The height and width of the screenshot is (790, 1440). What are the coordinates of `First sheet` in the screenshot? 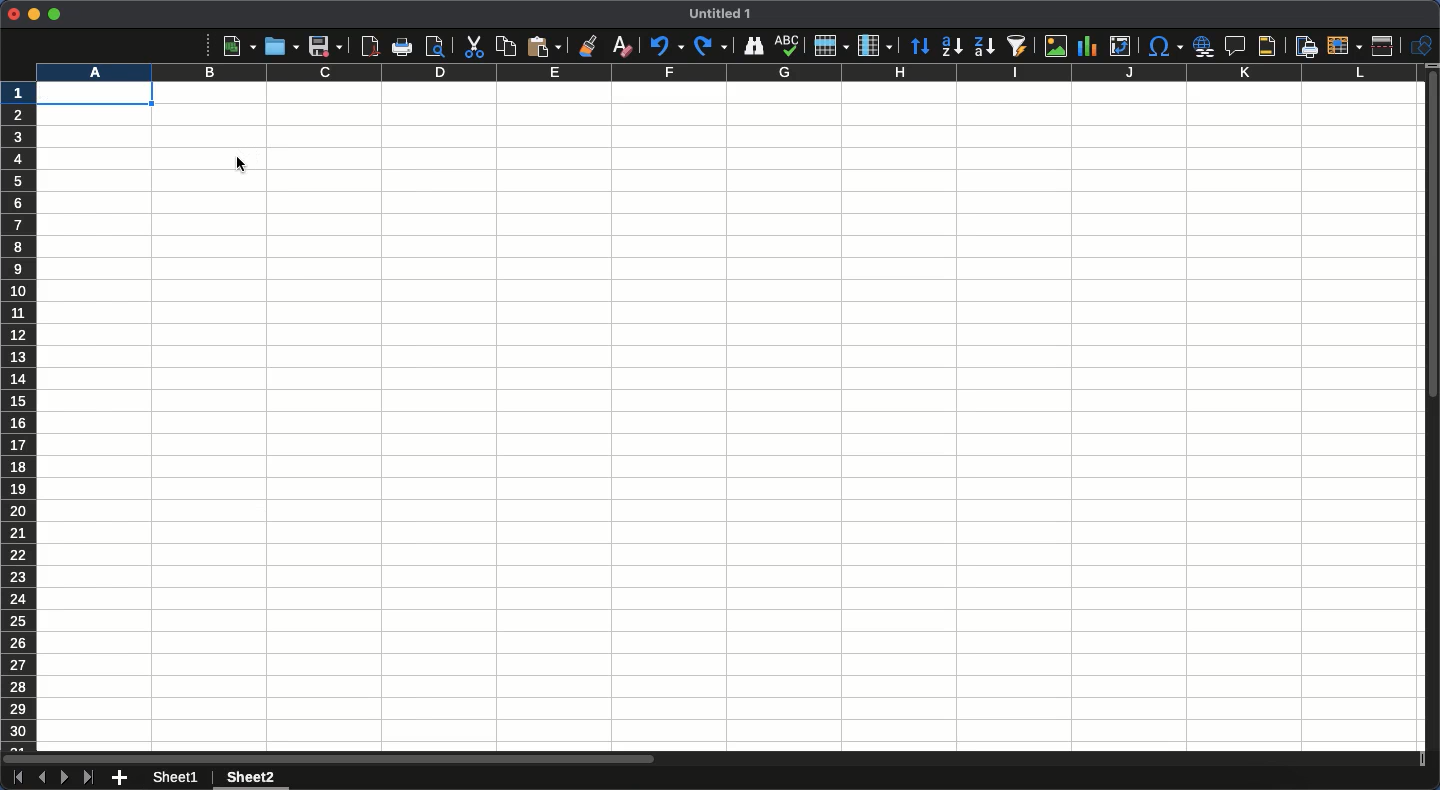 It's located at (16, 778).